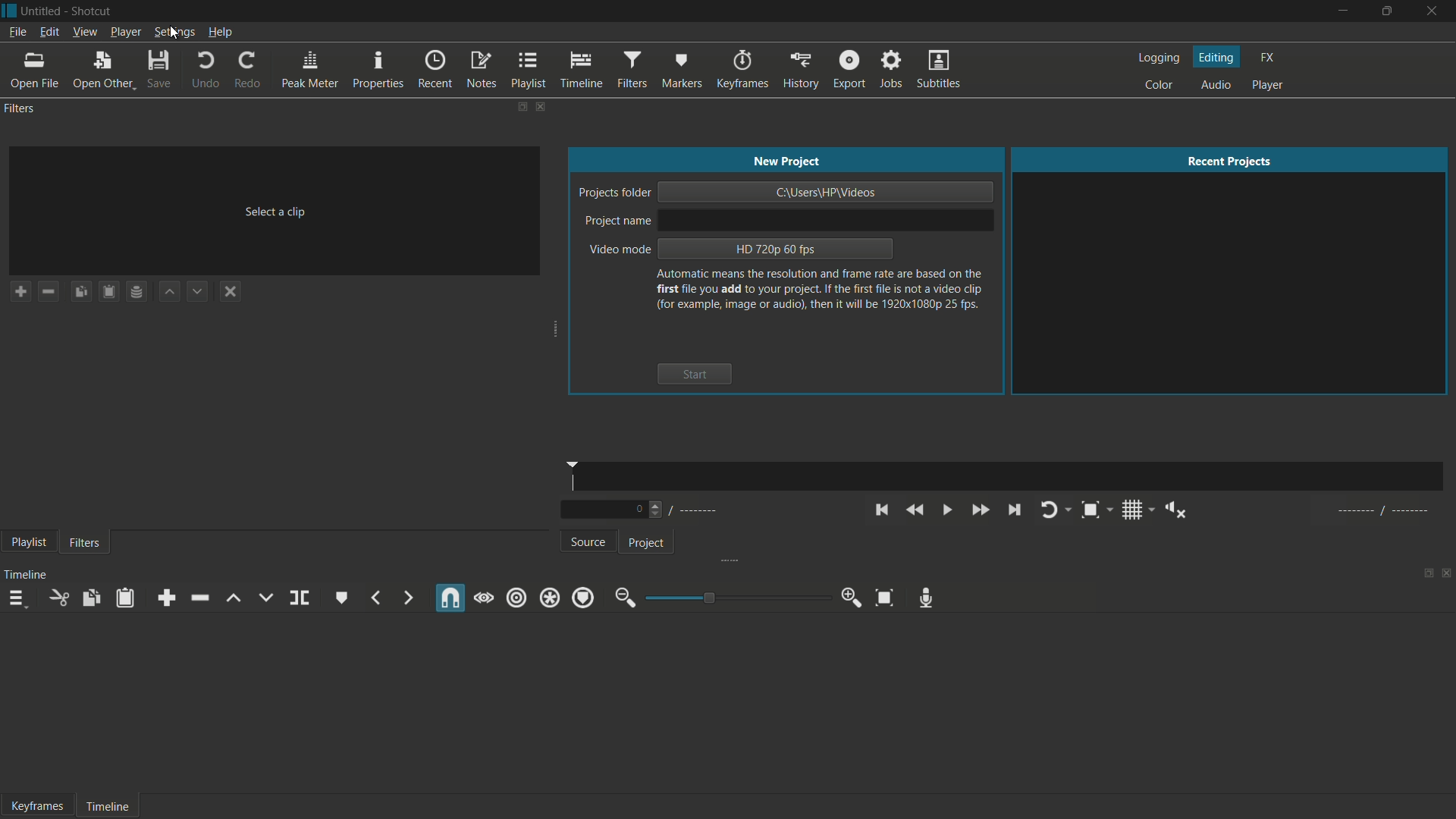 This screenshot has width=1456, height=819. I want to click on jobs, so click(892, 69).